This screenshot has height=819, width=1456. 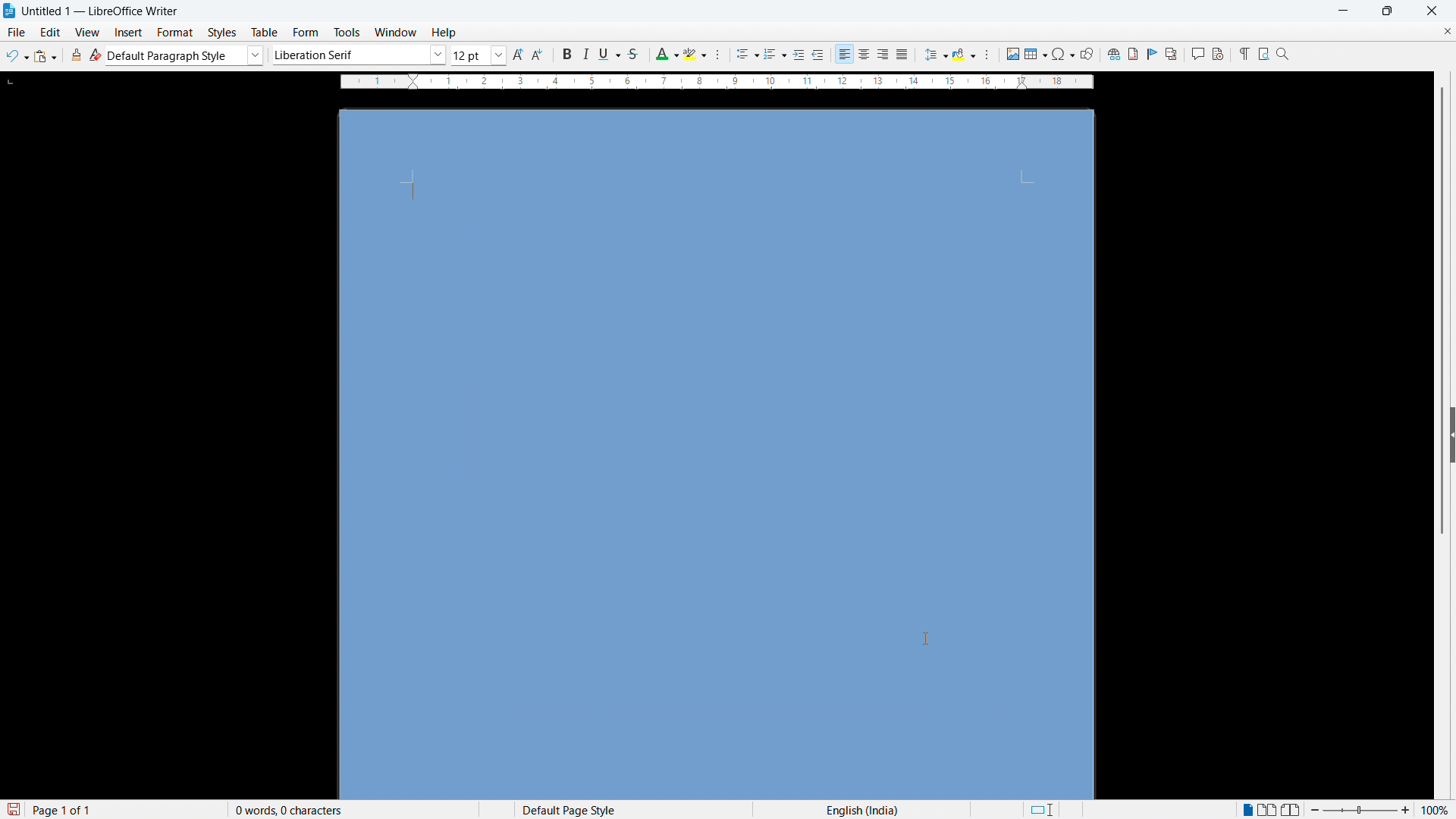 What do you see at coordinates (186, 55) in the screenshot?
I see `Default paragraph style` at bounding box center [186, 55].